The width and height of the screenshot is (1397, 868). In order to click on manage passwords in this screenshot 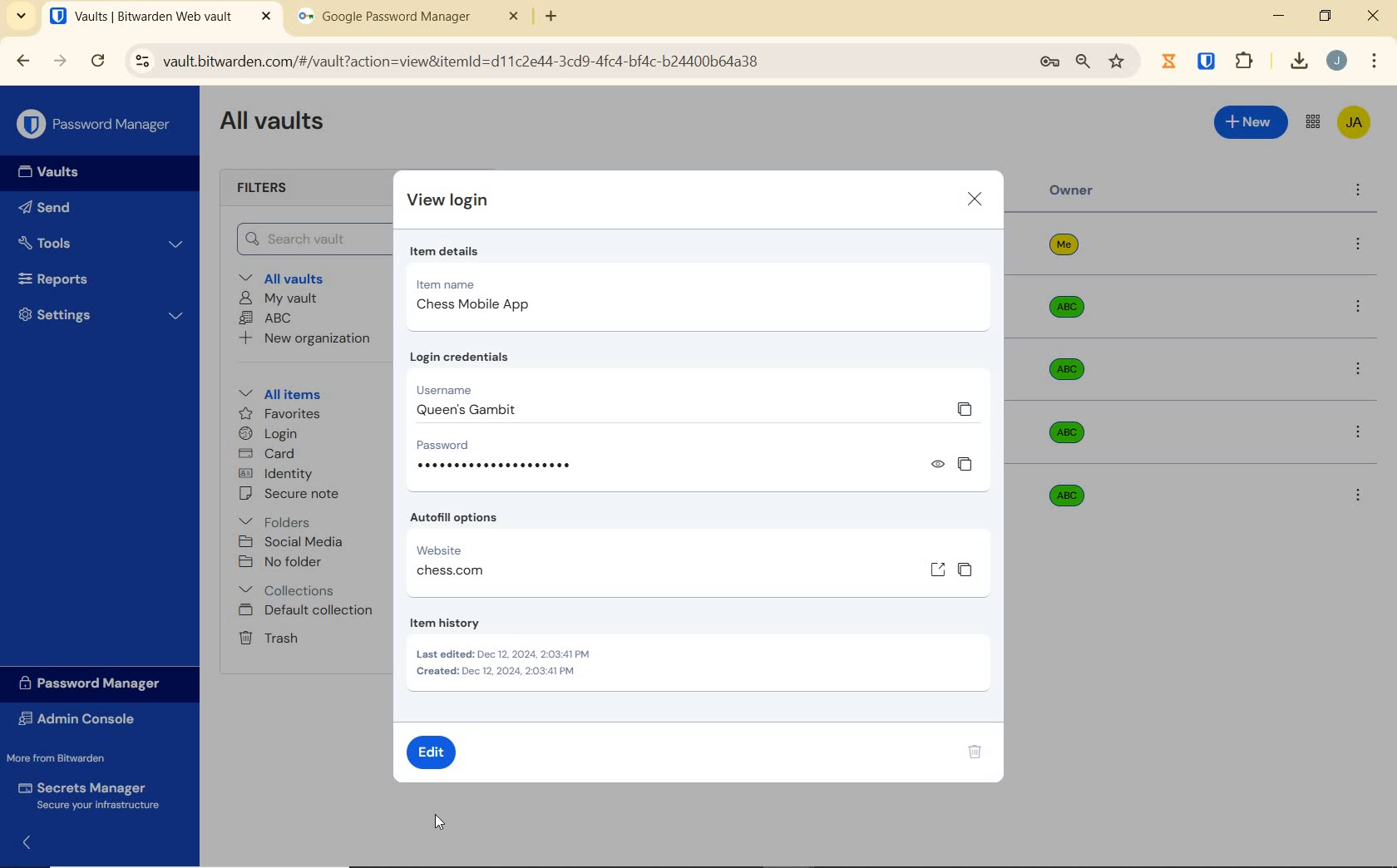, I will do `click(1049, 62)`.